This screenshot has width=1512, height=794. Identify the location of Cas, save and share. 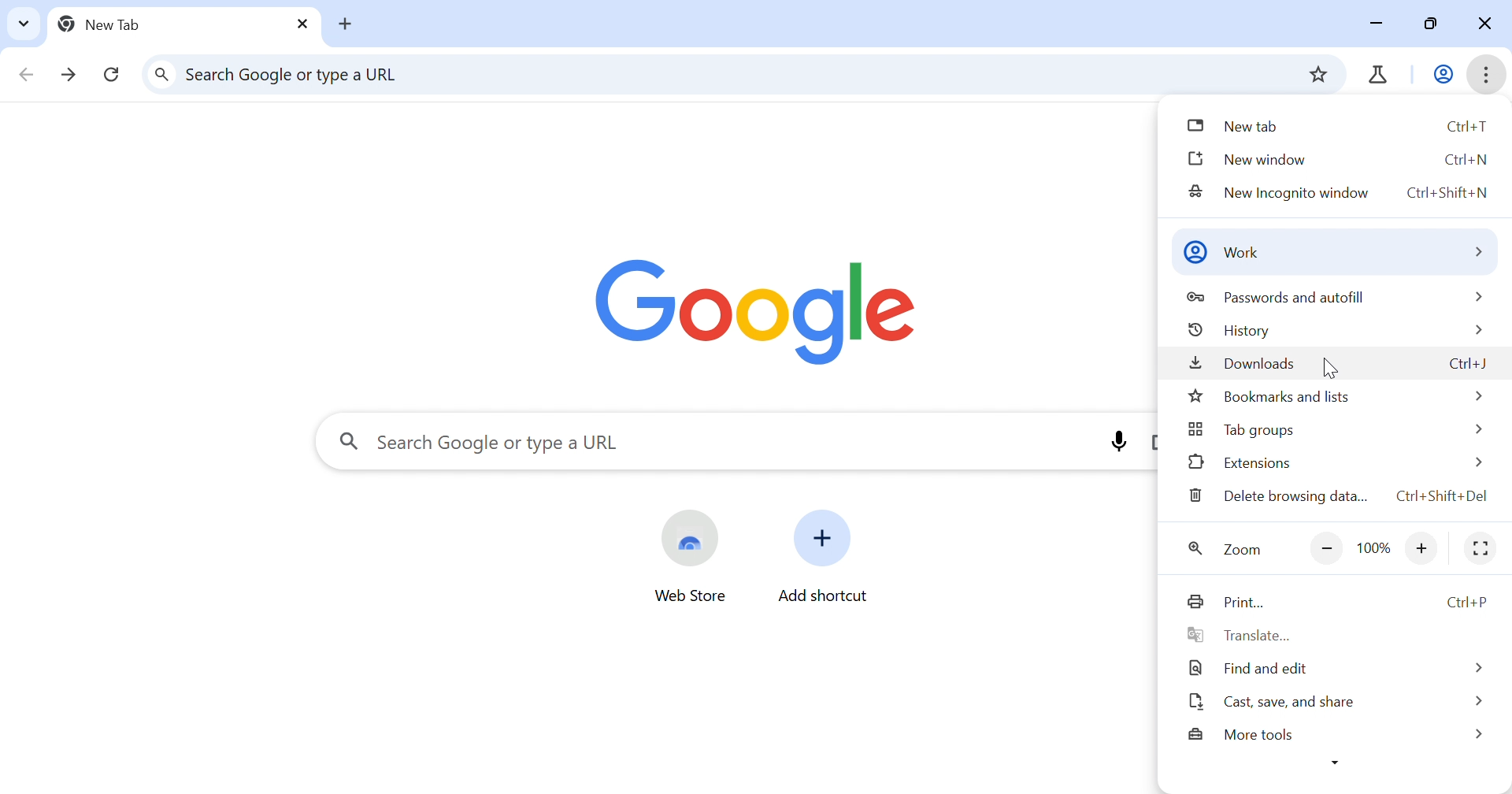
(1269, 703).